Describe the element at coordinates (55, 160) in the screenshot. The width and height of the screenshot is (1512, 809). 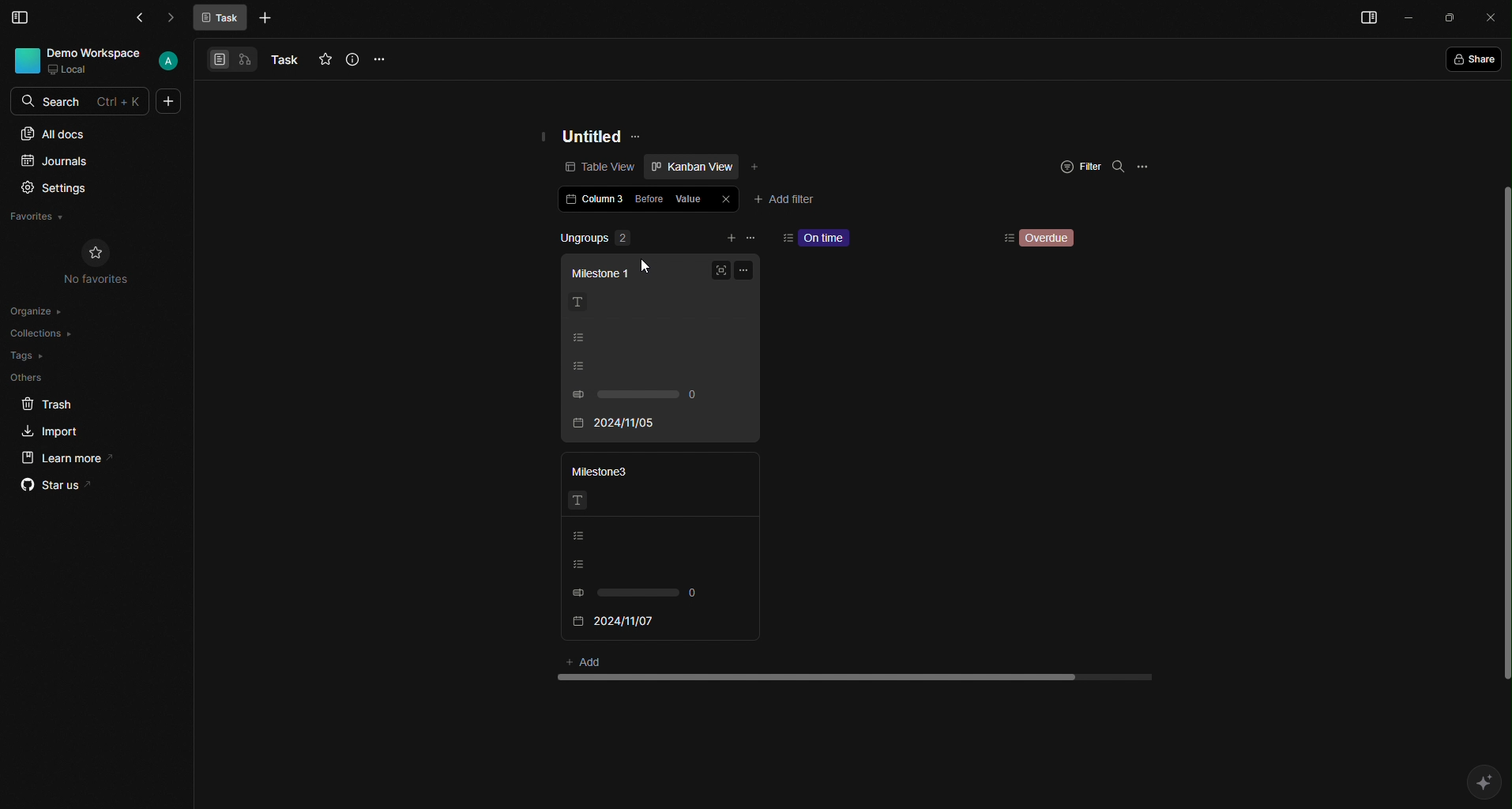
I see `Journals` at that location.